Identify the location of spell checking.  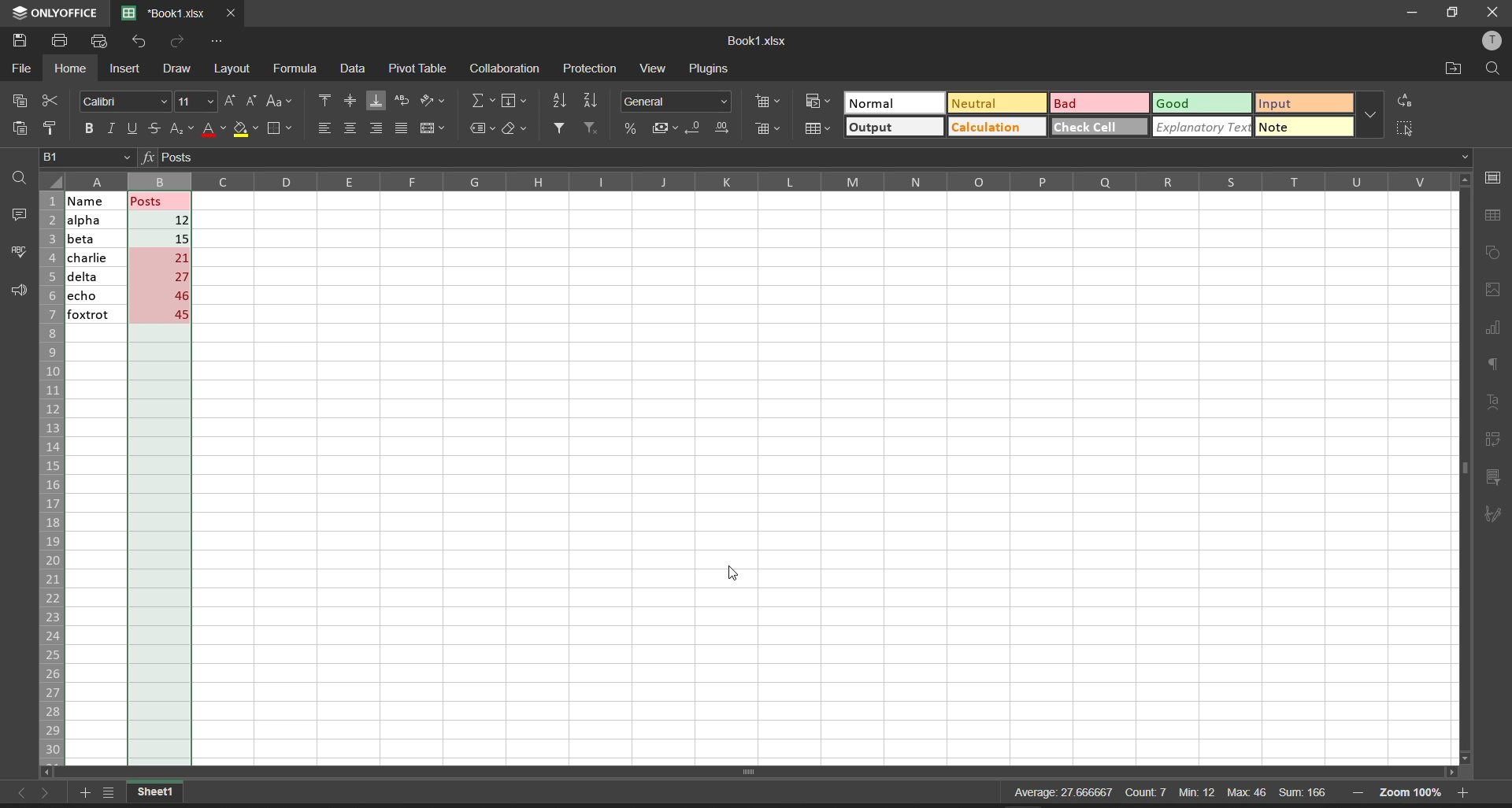
(17, 251).